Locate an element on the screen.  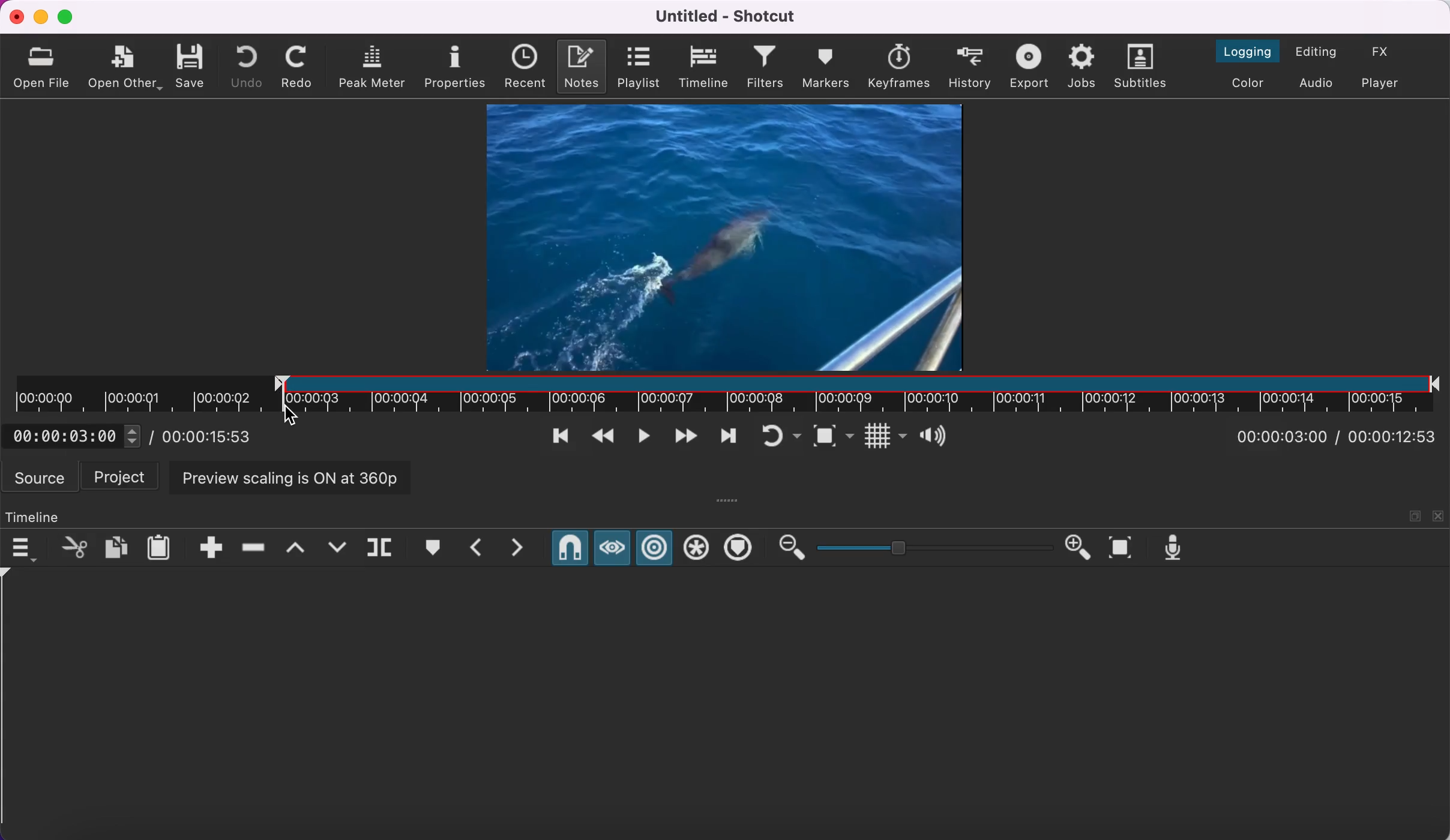
switch to audio layout is located at coordinates (1319, 83).